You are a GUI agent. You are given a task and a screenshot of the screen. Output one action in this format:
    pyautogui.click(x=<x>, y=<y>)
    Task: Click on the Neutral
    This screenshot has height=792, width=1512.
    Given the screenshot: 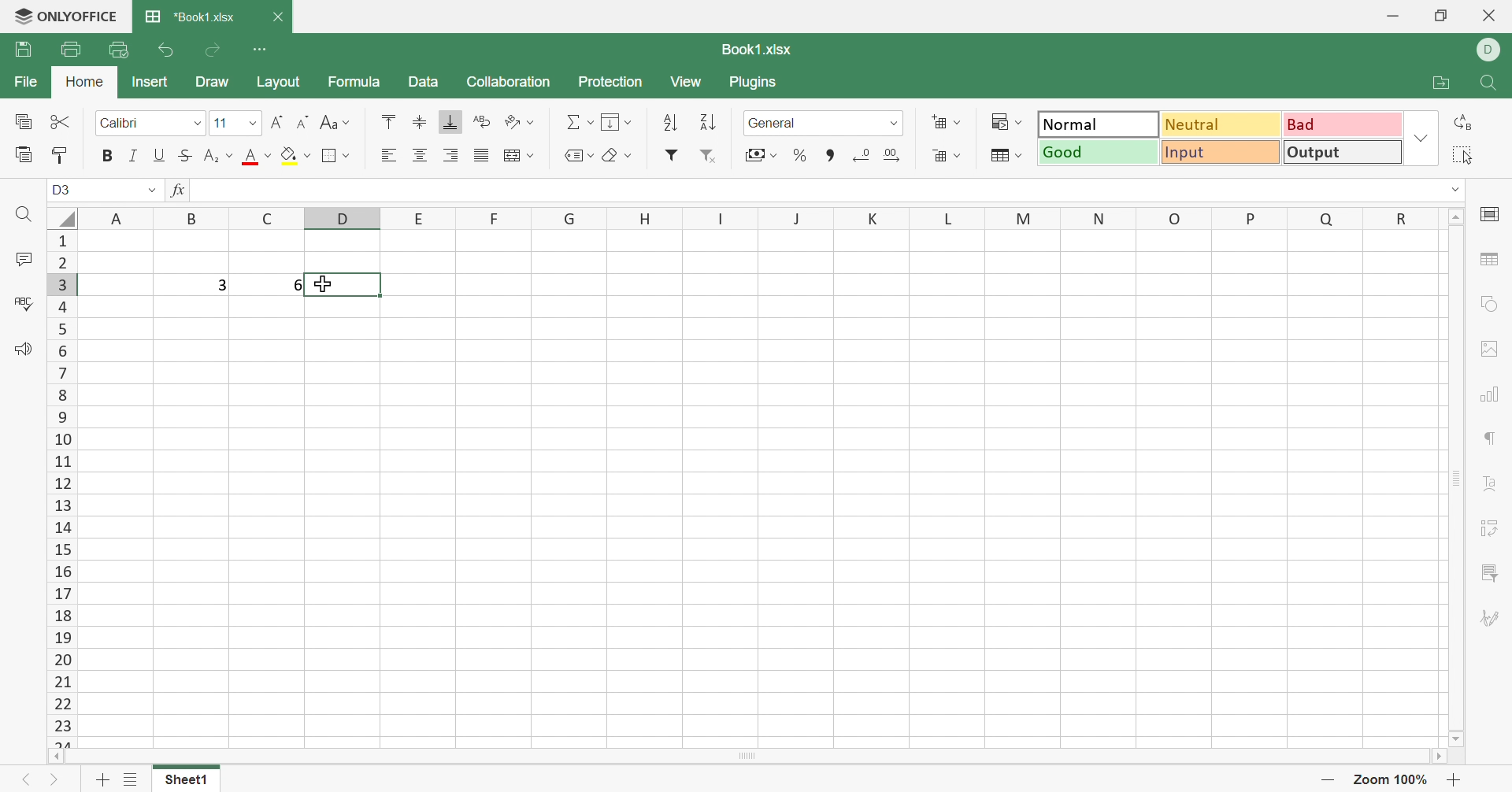 What is the action you would take?
    pyautogui.click(x=1222, y=126)
    